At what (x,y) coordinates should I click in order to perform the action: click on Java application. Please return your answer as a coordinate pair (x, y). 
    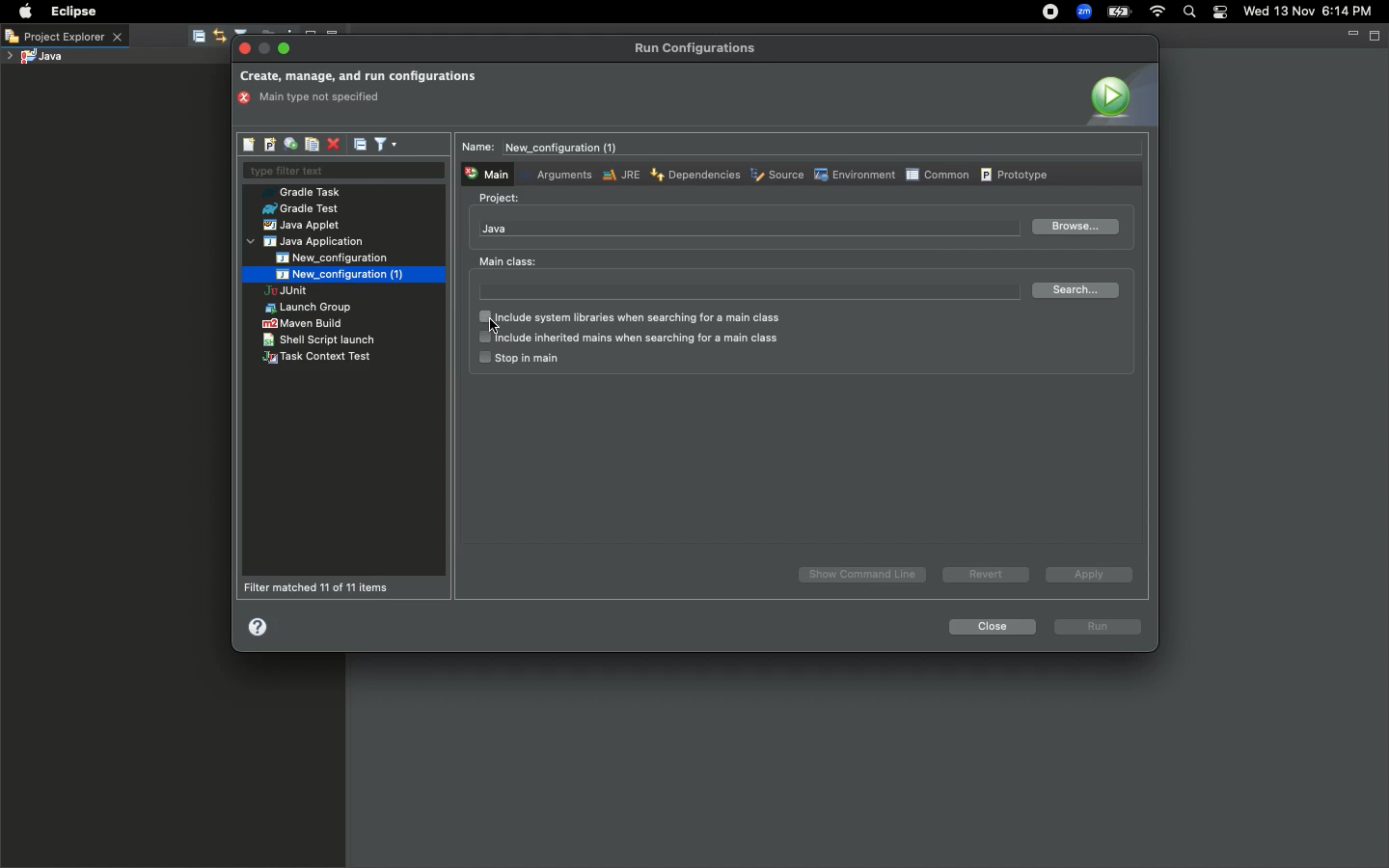
    Looking at the image, I should click on (308, 242).